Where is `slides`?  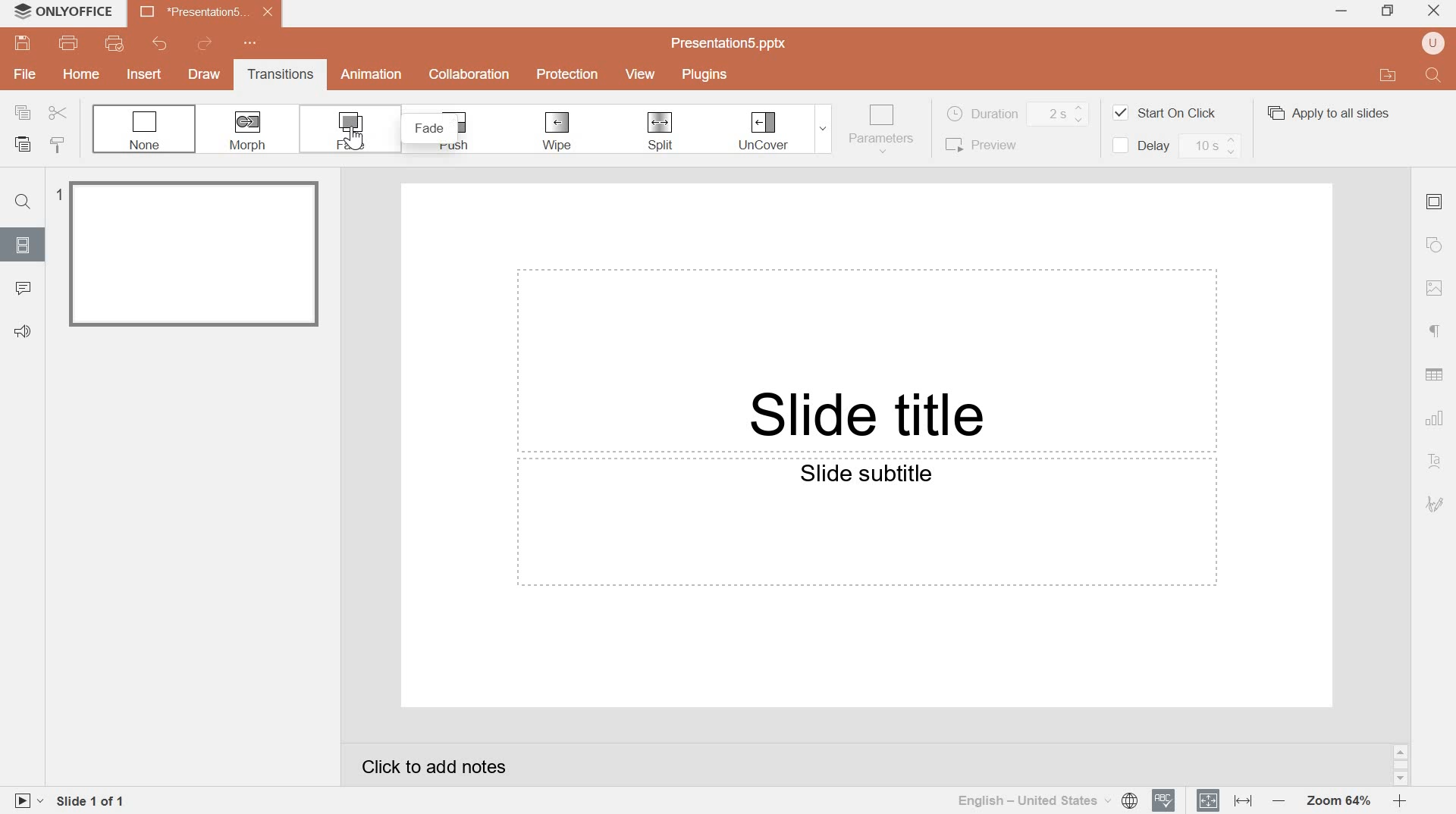 slides is located at coordinates (20, 244).